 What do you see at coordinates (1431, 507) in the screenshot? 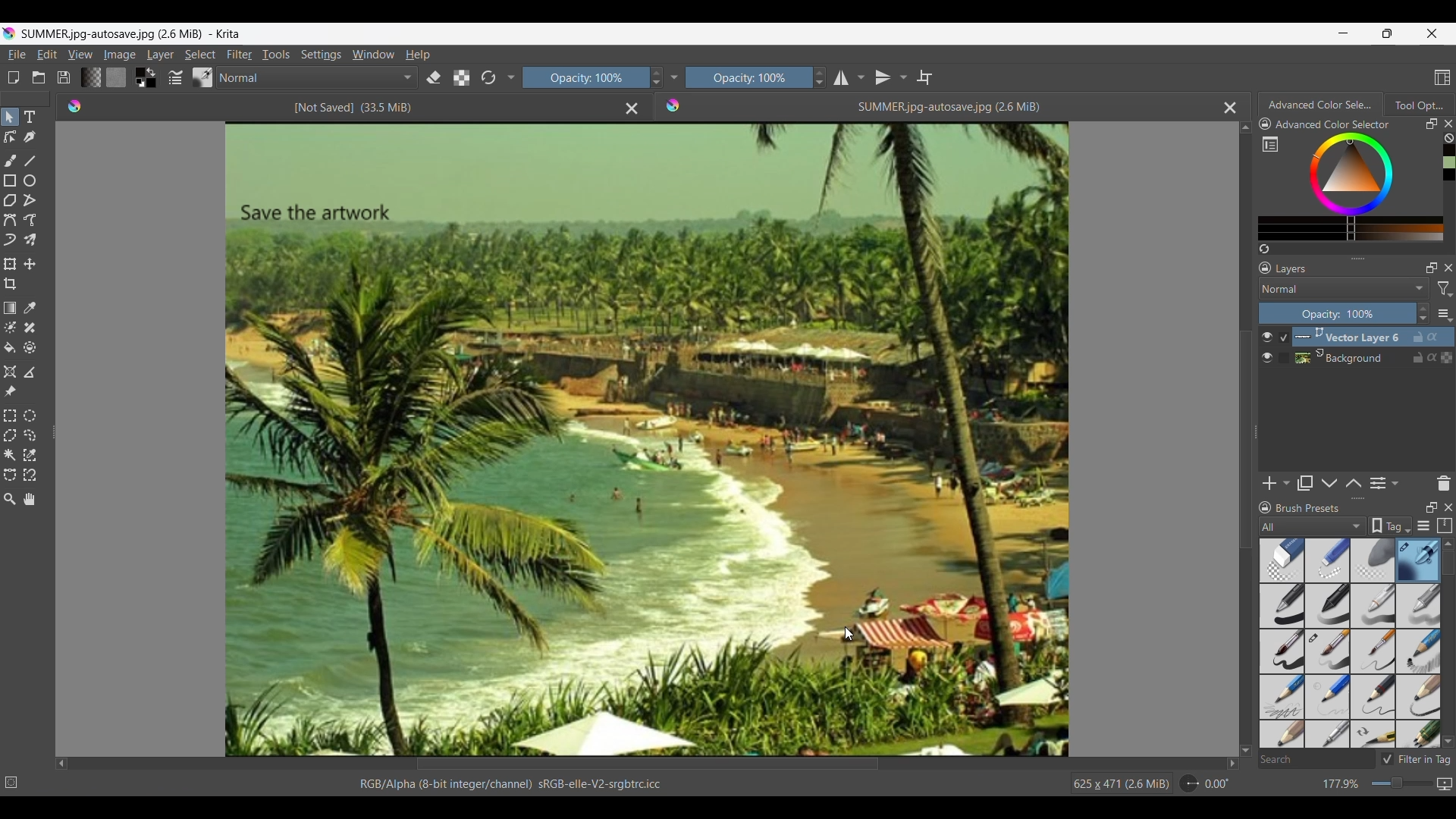
I see `Float panel` at bounding box center [1431, 507].